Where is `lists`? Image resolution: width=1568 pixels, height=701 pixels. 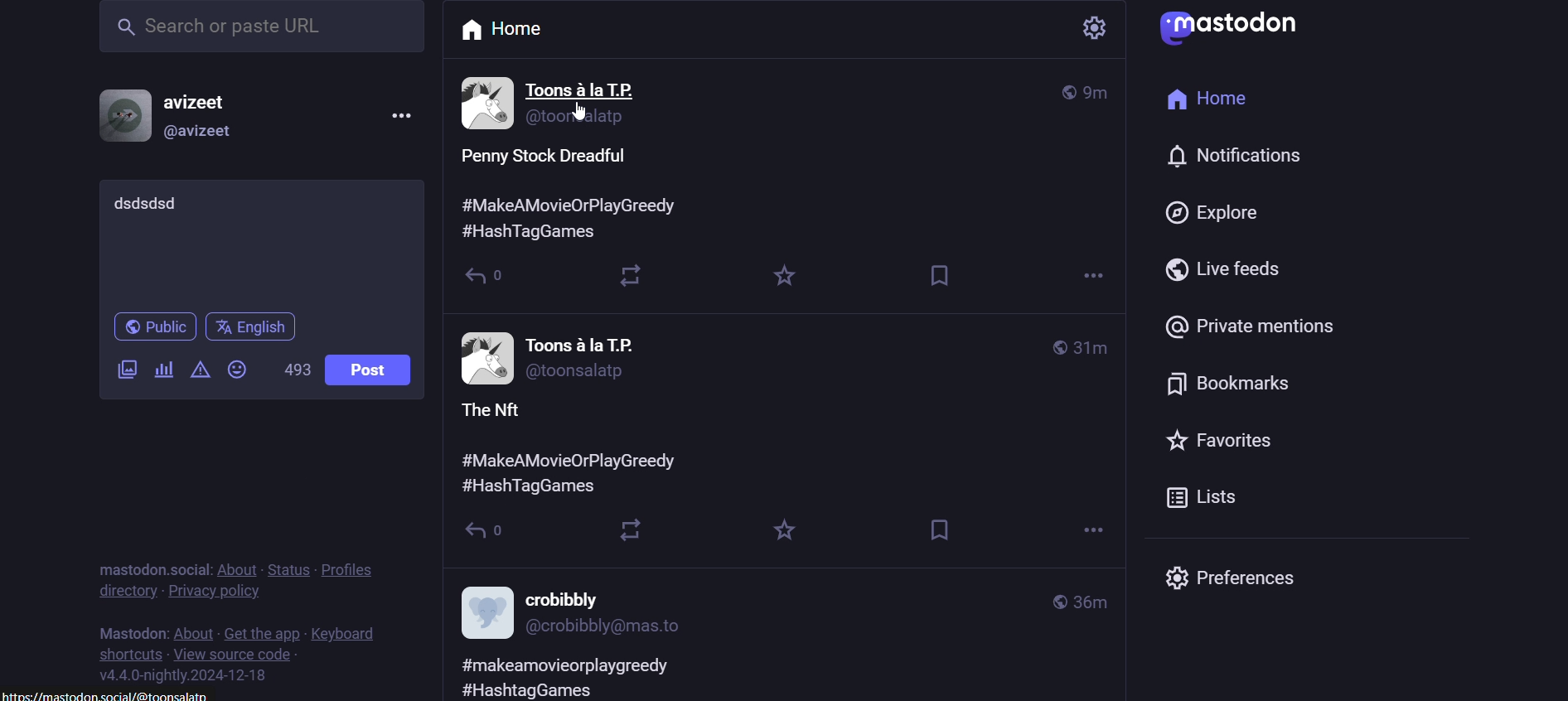 lists is located at coordinates (1212, 496).